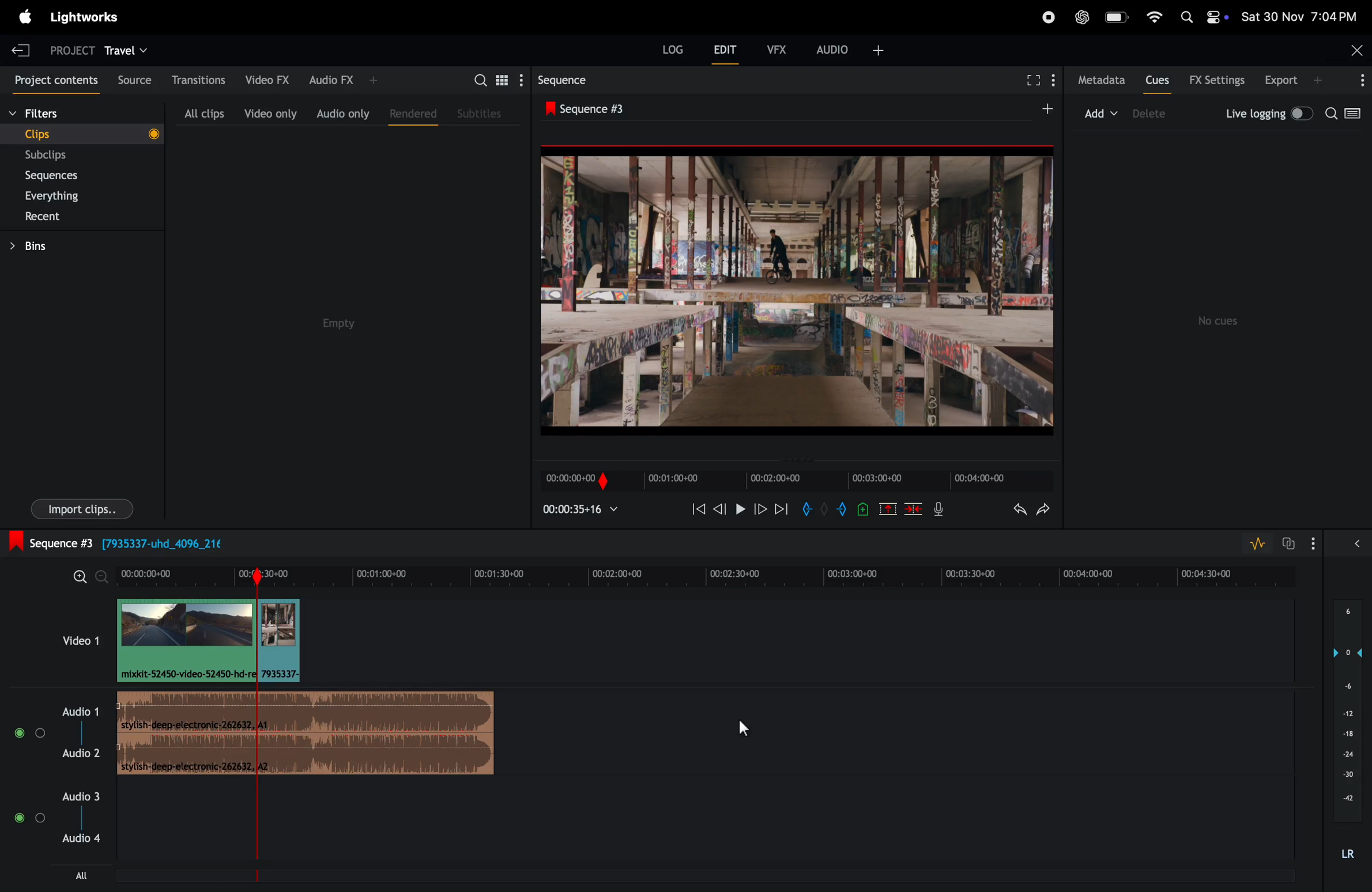  What do you see at coordinates (780, 51) in the screenshot?
I see `vfx` at bounding box center [780, 51].